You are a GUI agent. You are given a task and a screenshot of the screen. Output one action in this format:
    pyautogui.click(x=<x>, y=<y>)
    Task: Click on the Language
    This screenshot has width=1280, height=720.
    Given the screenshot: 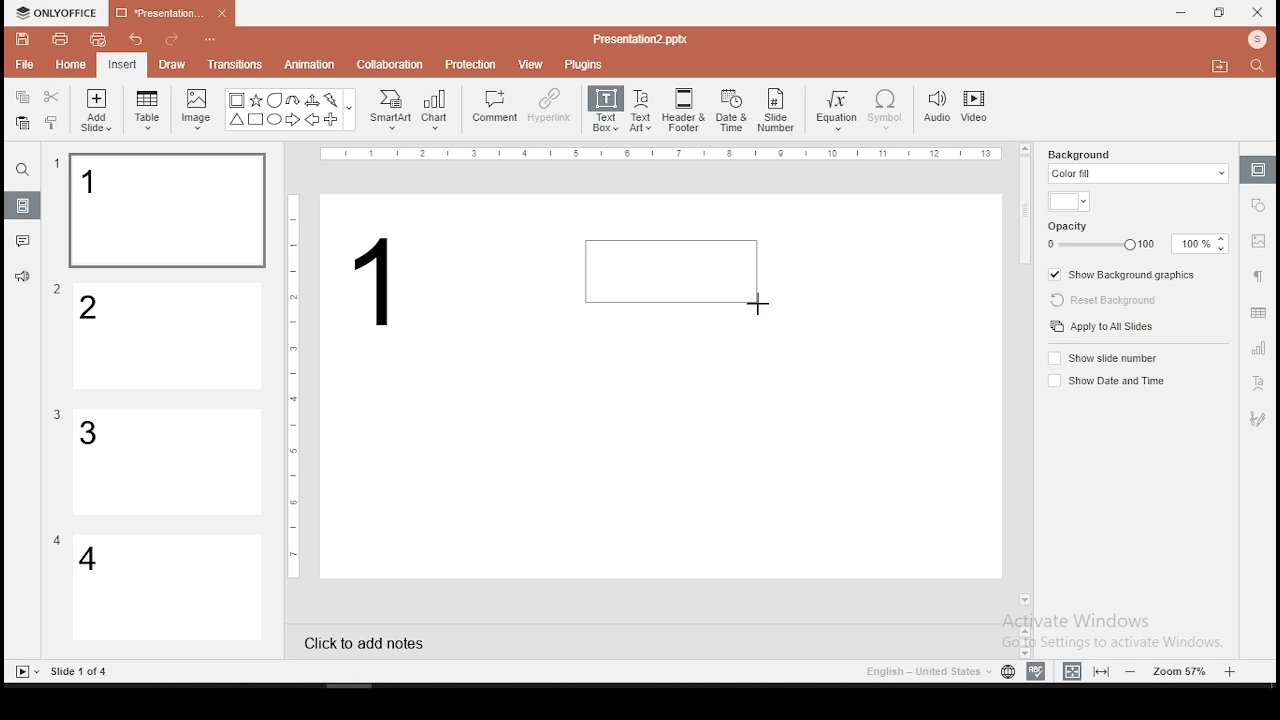 What is the action you would take?
    pyautogui.click(x=925, y=672)
    